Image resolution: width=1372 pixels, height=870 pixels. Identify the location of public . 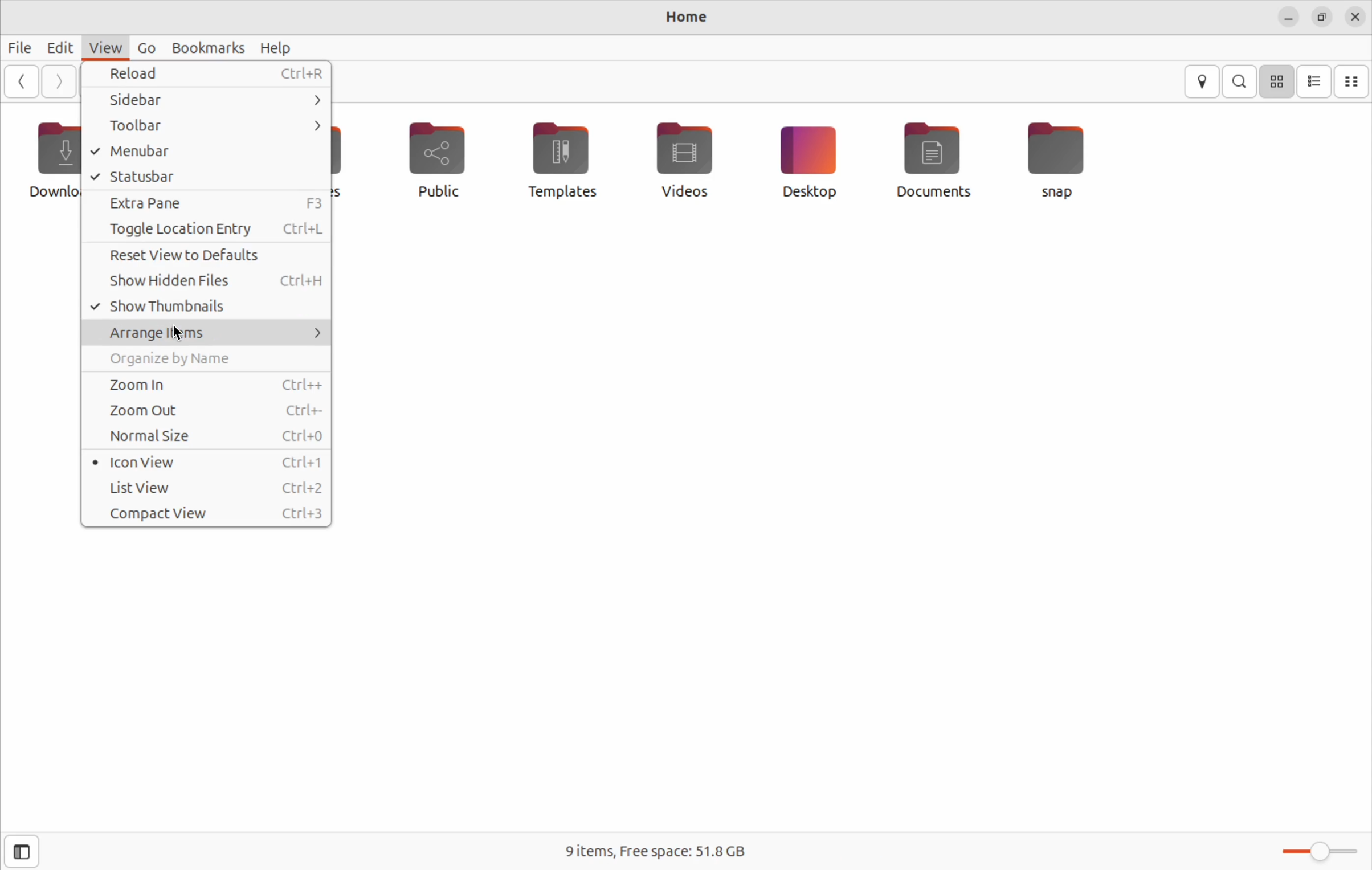
(447, 163).